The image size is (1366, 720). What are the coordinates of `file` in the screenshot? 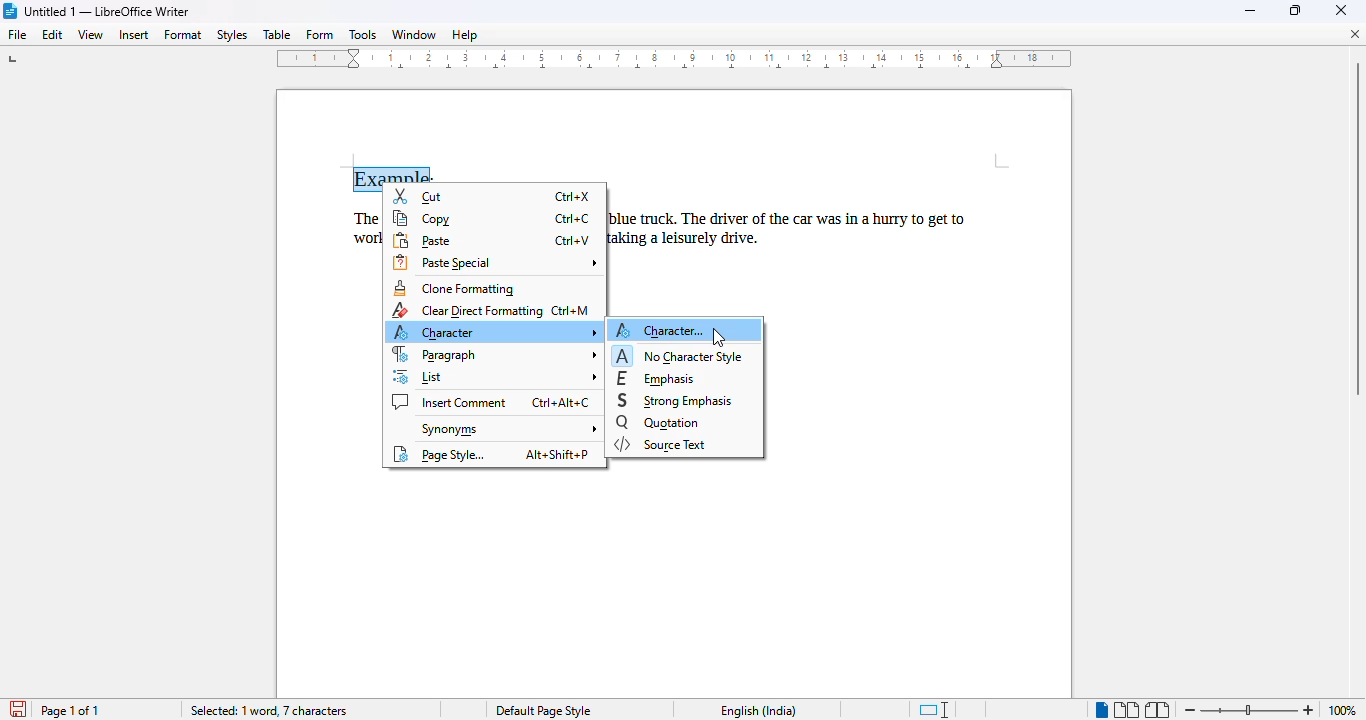 It's located at (18, 35).